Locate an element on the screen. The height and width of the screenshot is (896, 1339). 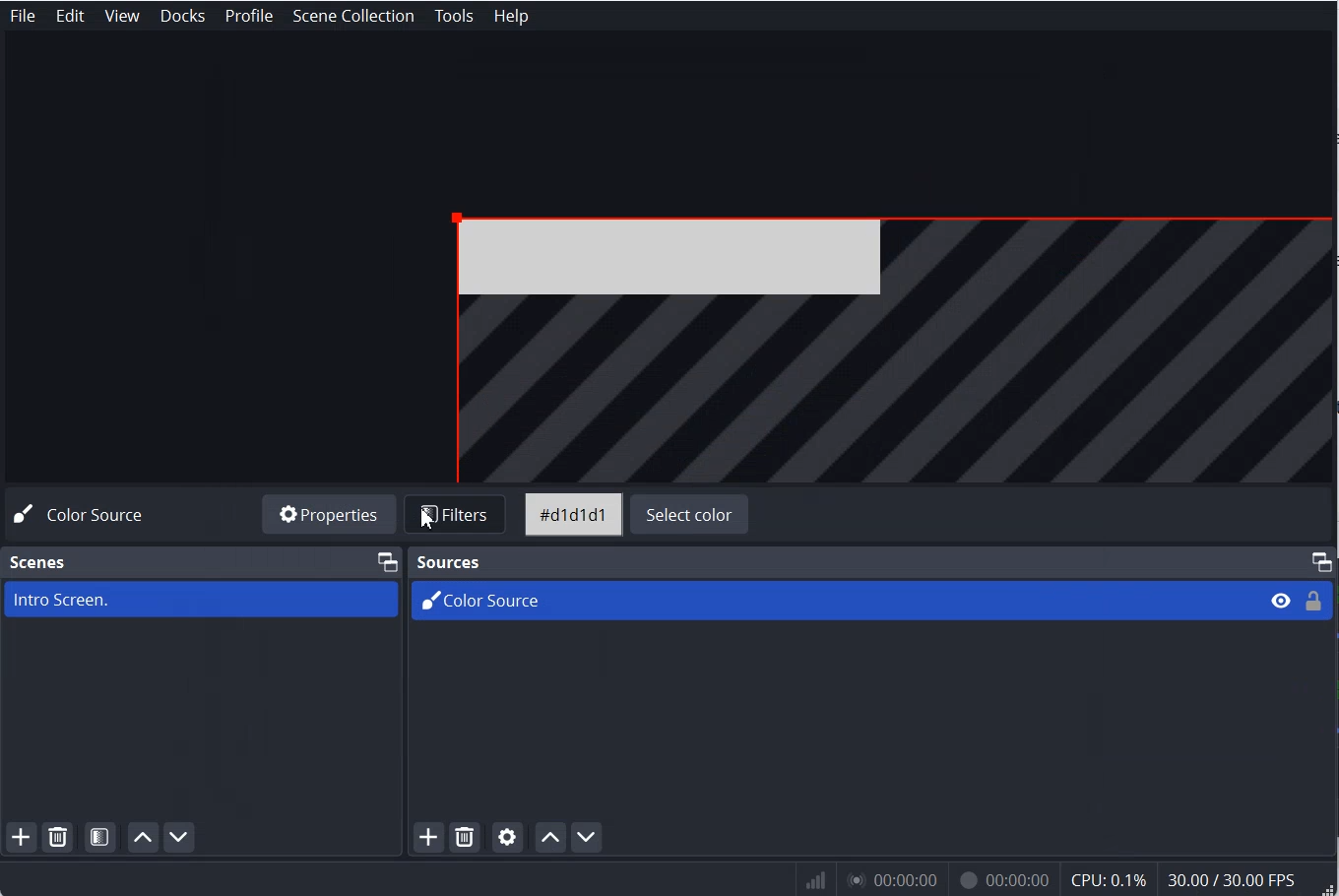
Sources is located at coordinates (447, 560).